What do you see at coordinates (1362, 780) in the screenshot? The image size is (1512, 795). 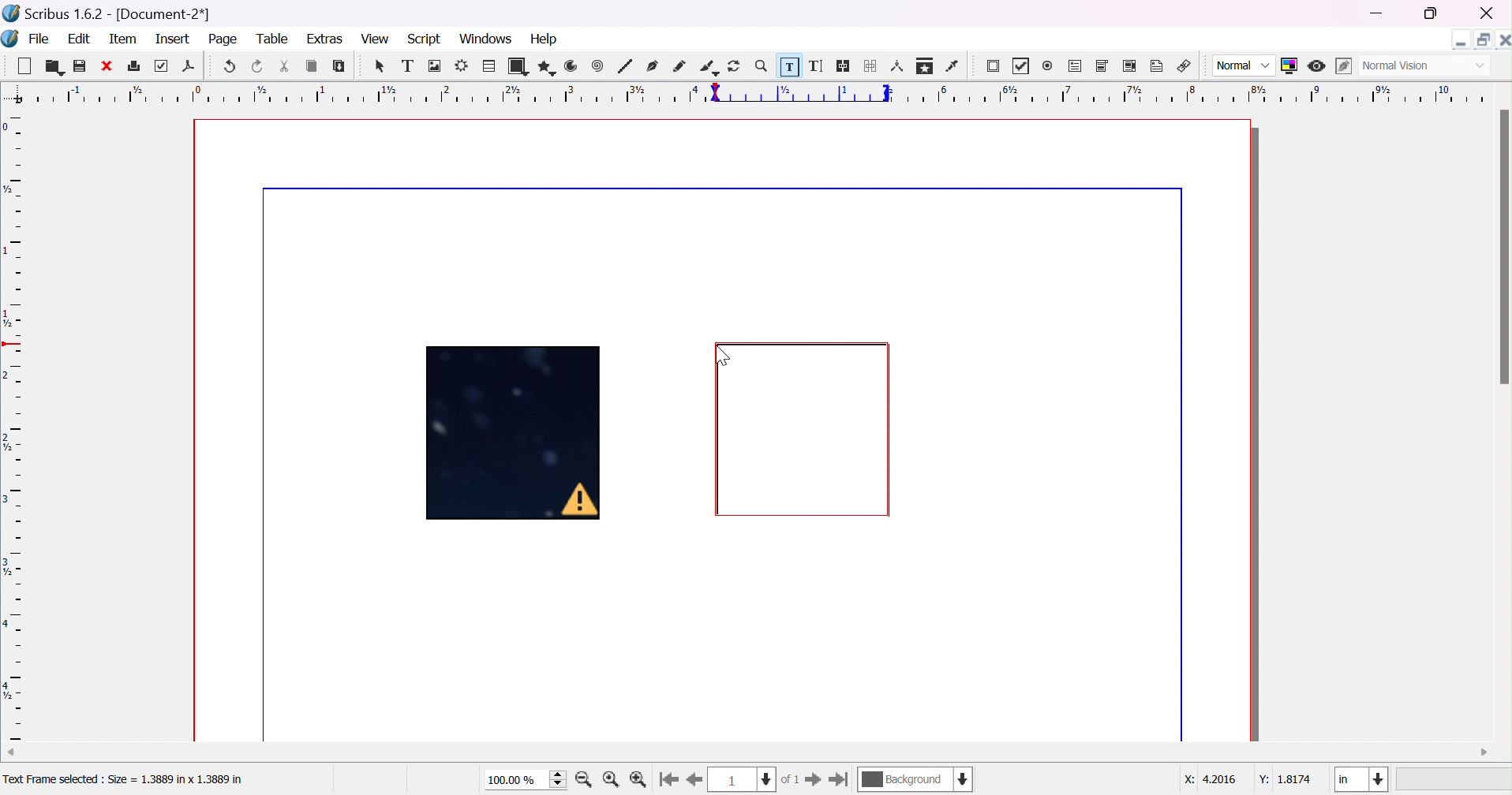 I see `in` at bounding box center [1362, 780].